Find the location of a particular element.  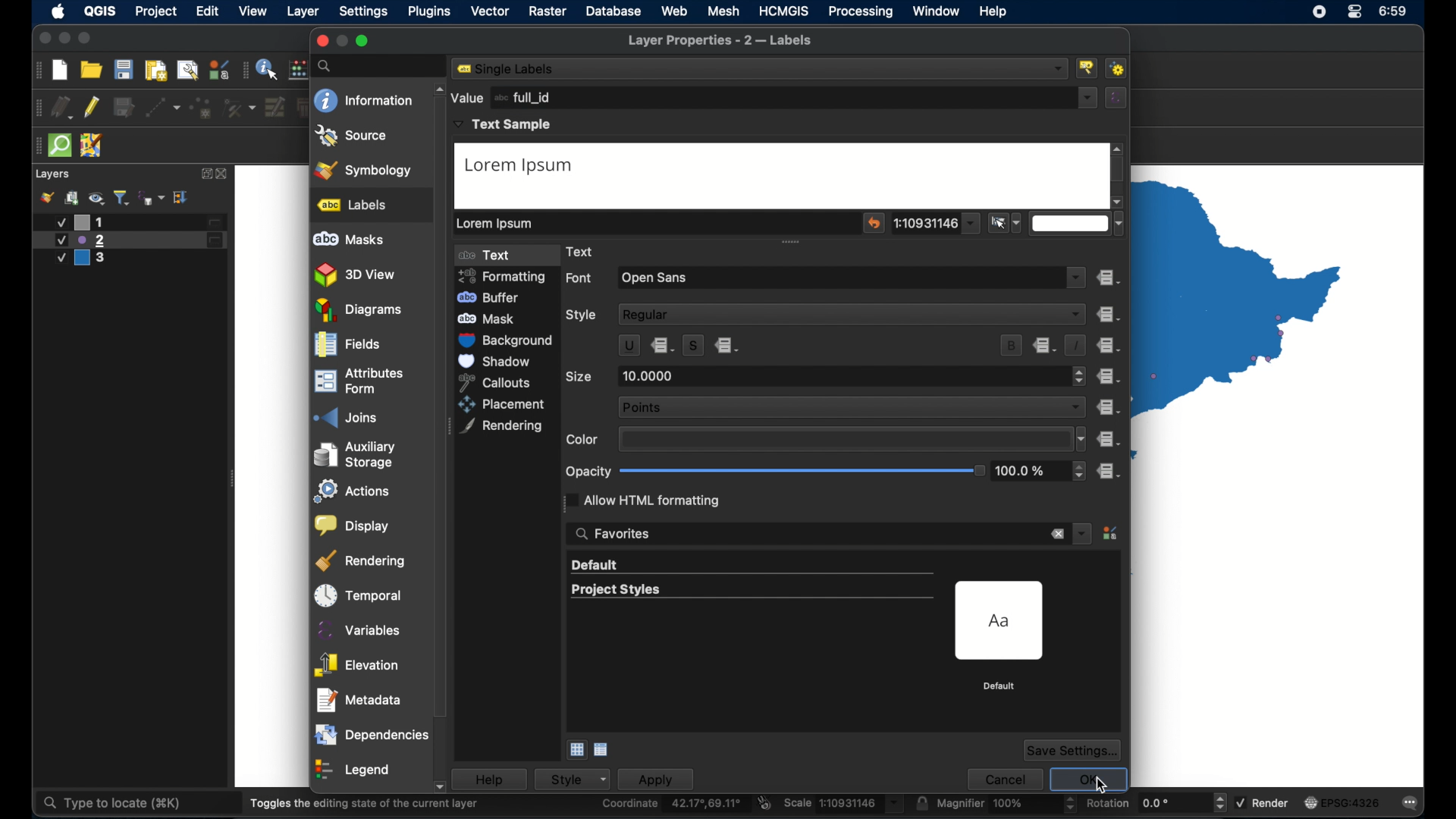

default is located at coordinates (1000, 686).